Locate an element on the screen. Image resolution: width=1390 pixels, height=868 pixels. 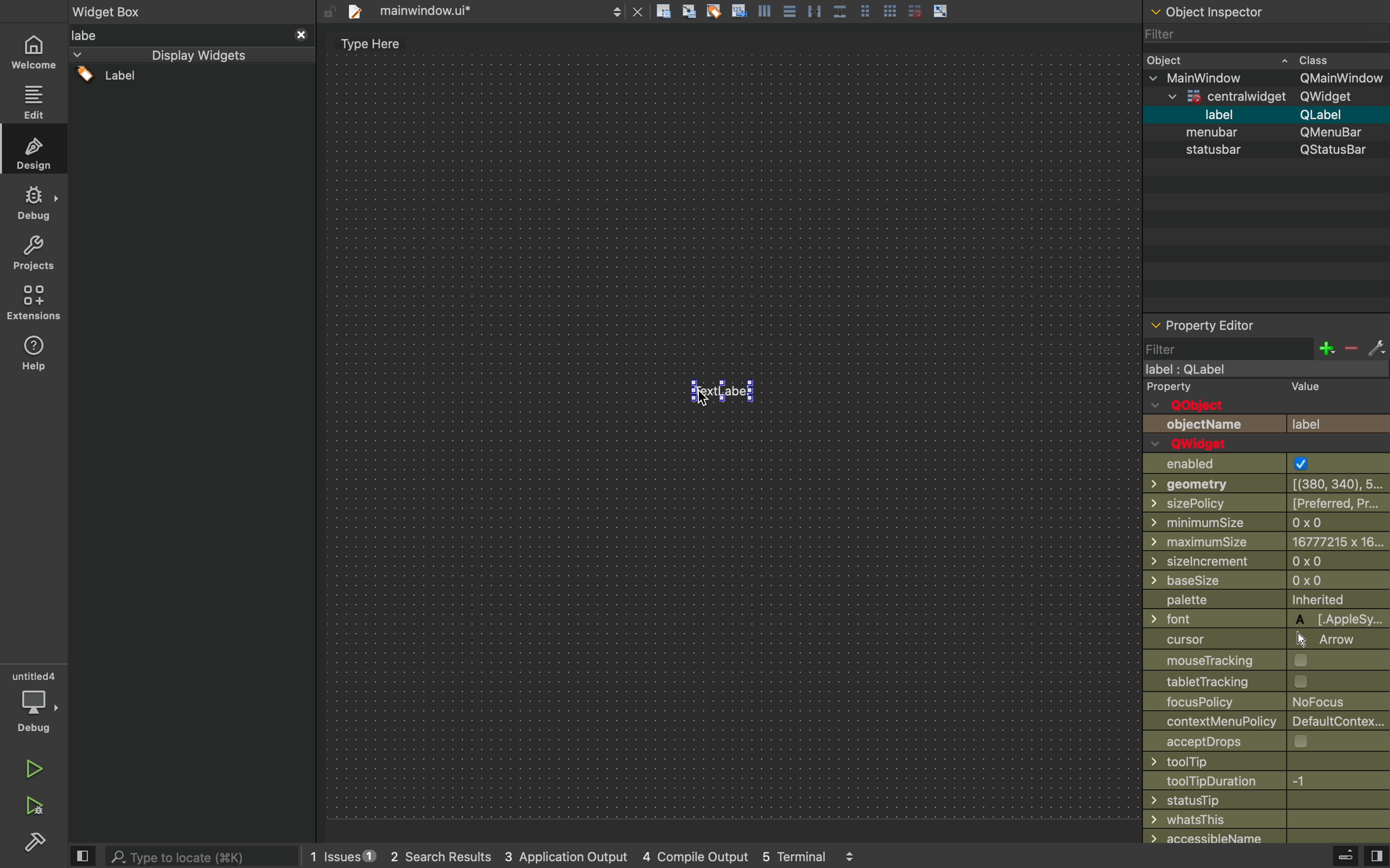
debug is located at coordinates (34, 702).